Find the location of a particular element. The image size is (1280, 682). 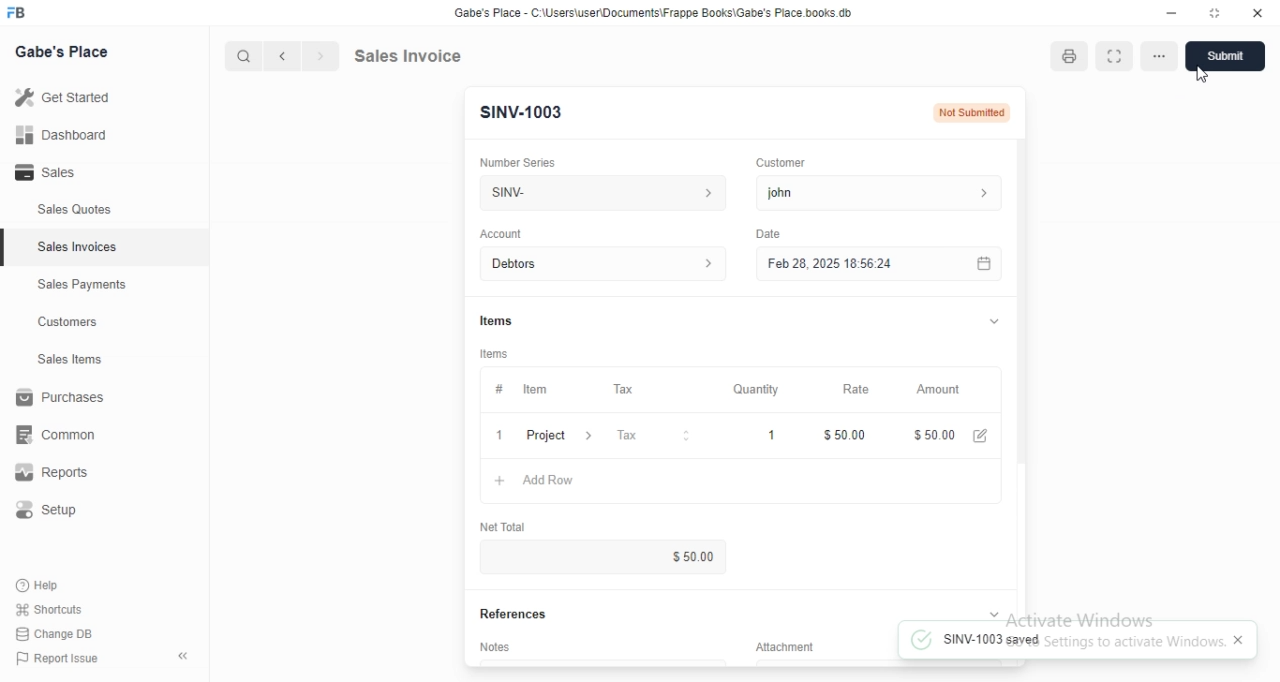

Rate is located at coordinates (853, 389).